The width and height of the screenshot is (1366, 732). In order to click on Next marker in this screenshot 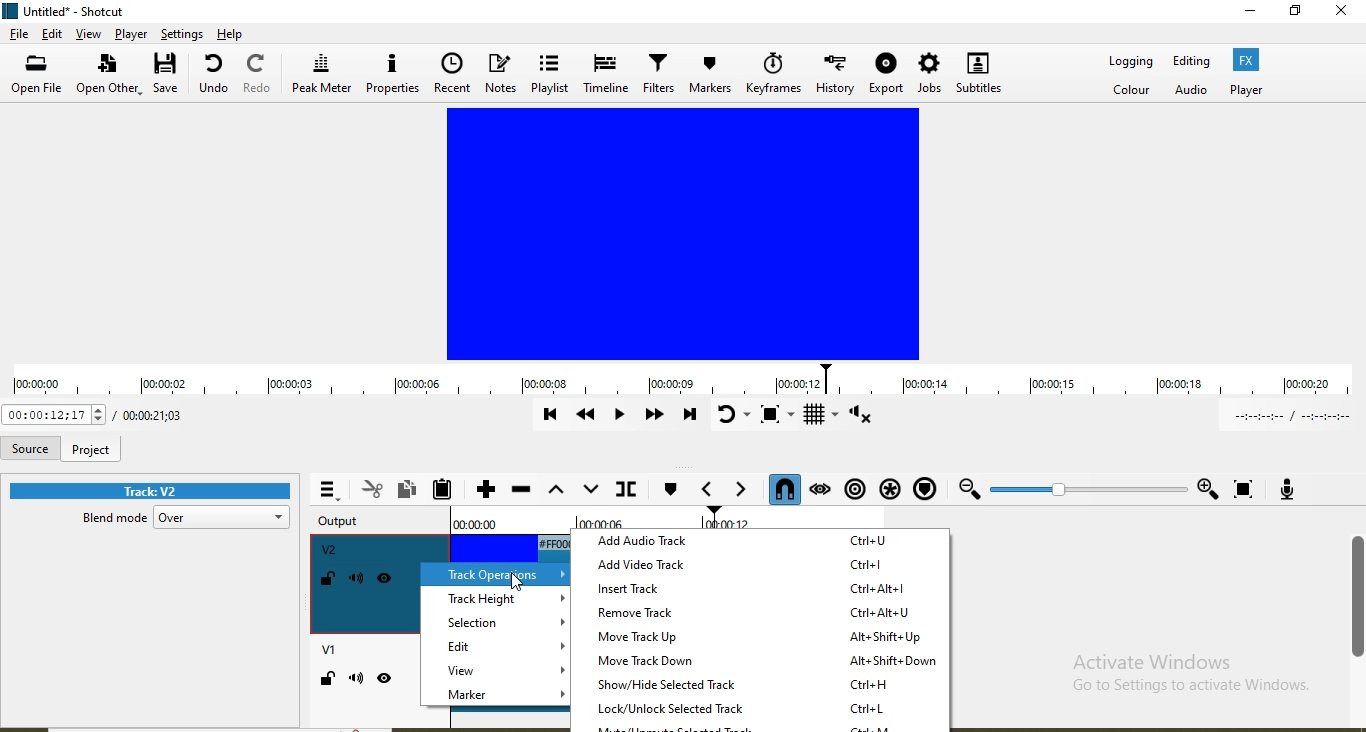, I will do `click(744, 491)`.